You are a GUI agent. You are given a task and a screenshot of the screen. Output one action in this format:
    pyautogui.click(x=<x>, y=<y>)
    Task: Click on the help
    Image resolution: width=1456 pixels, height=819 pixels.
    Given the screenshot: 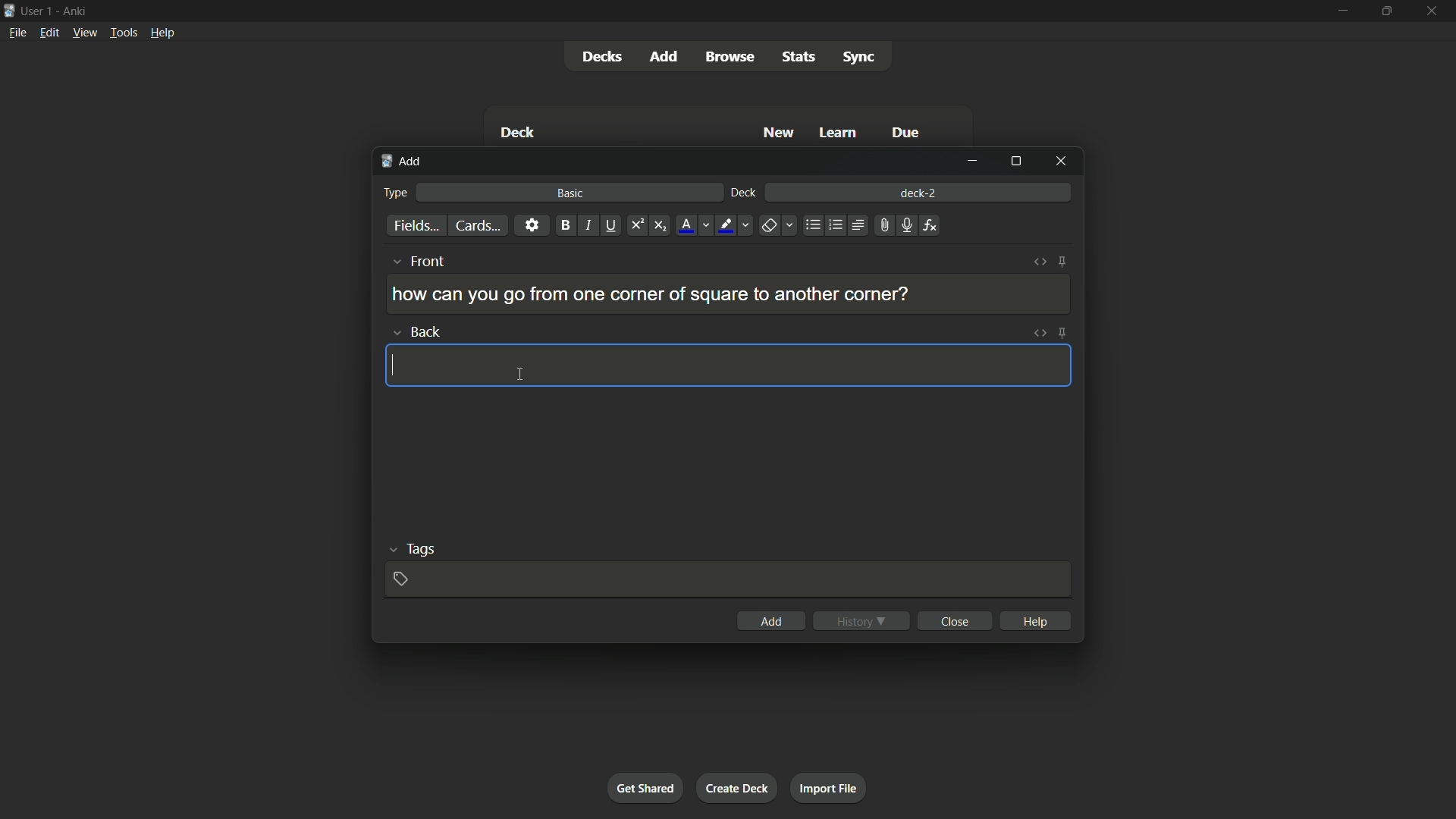 What is the action you would take?
    pyautogui.click(x=1034, y=620)
    